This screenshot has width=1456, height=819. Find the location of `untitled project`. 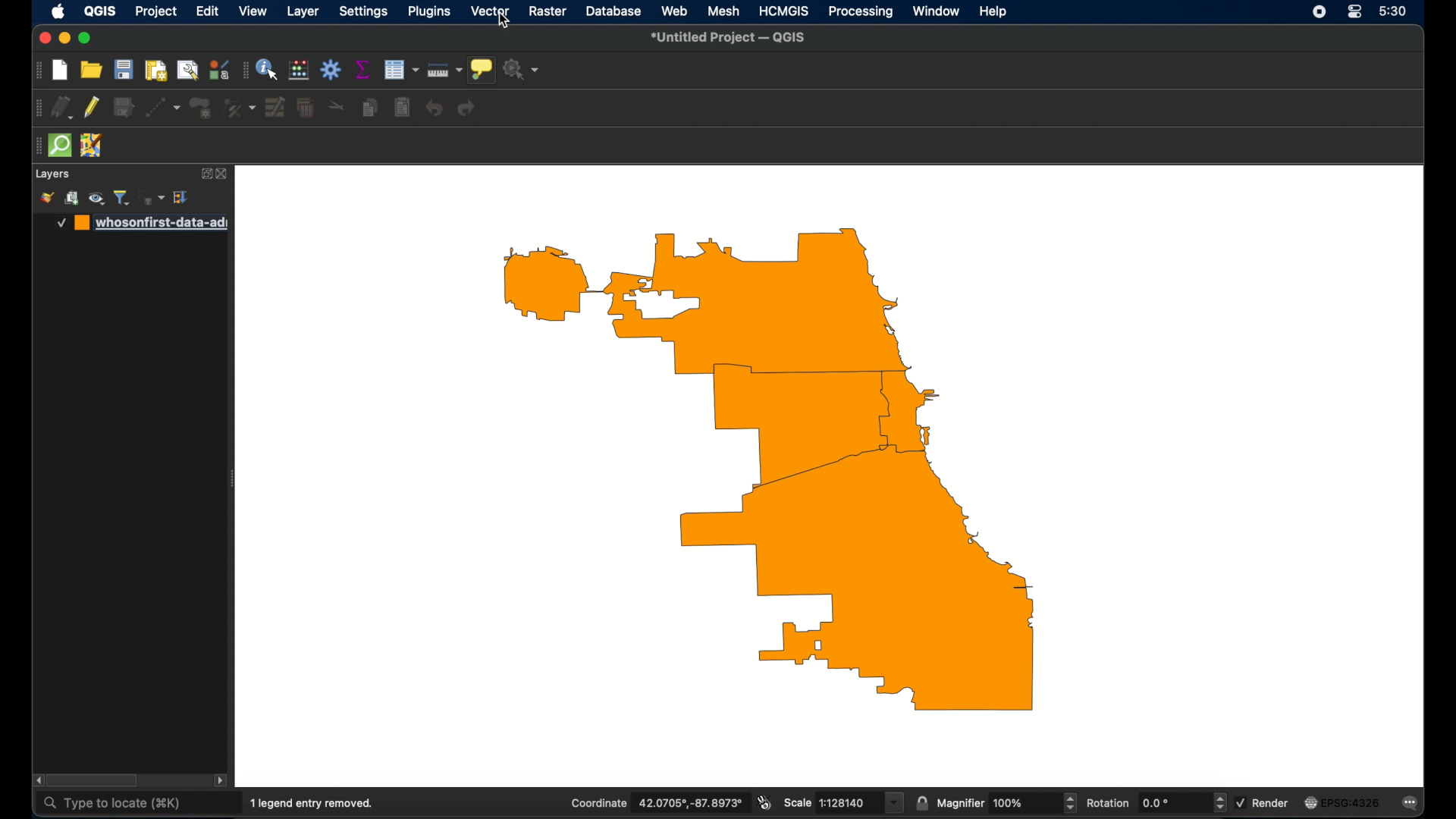

untitled project is located at coordinates (730, 38).